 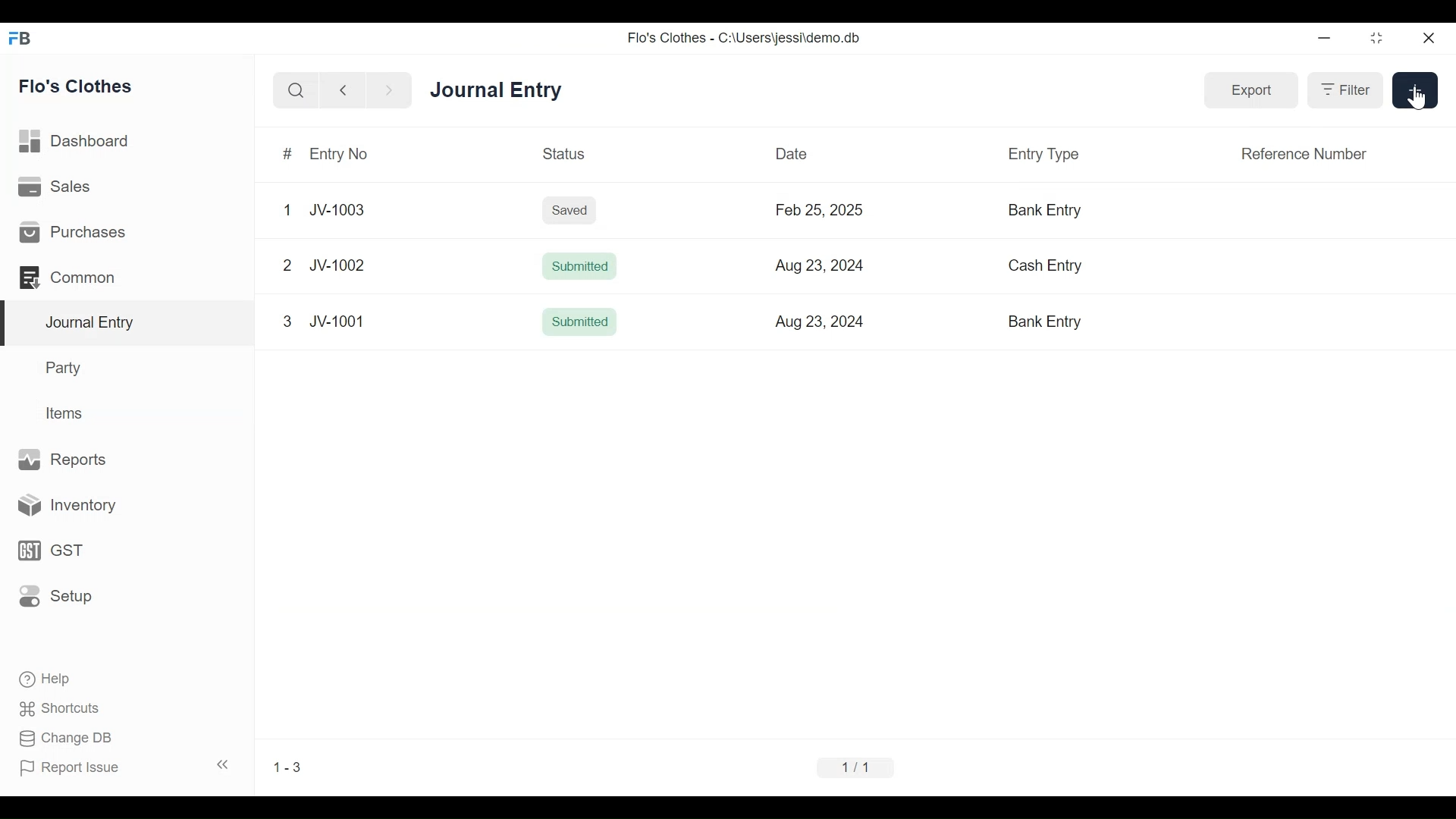 What do you see at coordinates (564, 154) in the screenshot?
I see `Status` at bounding box center [564, 154].